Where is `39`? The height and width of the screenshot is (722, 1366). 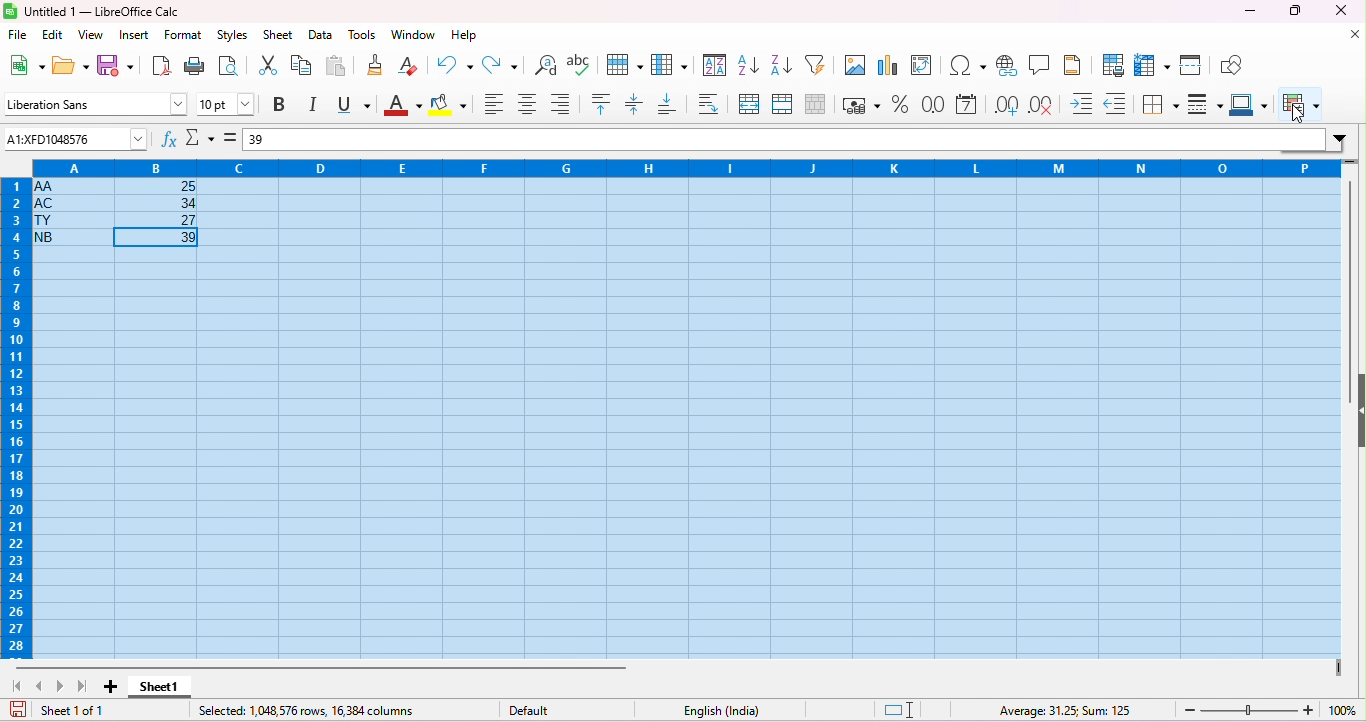 39 is located at coordinates (258, 140).